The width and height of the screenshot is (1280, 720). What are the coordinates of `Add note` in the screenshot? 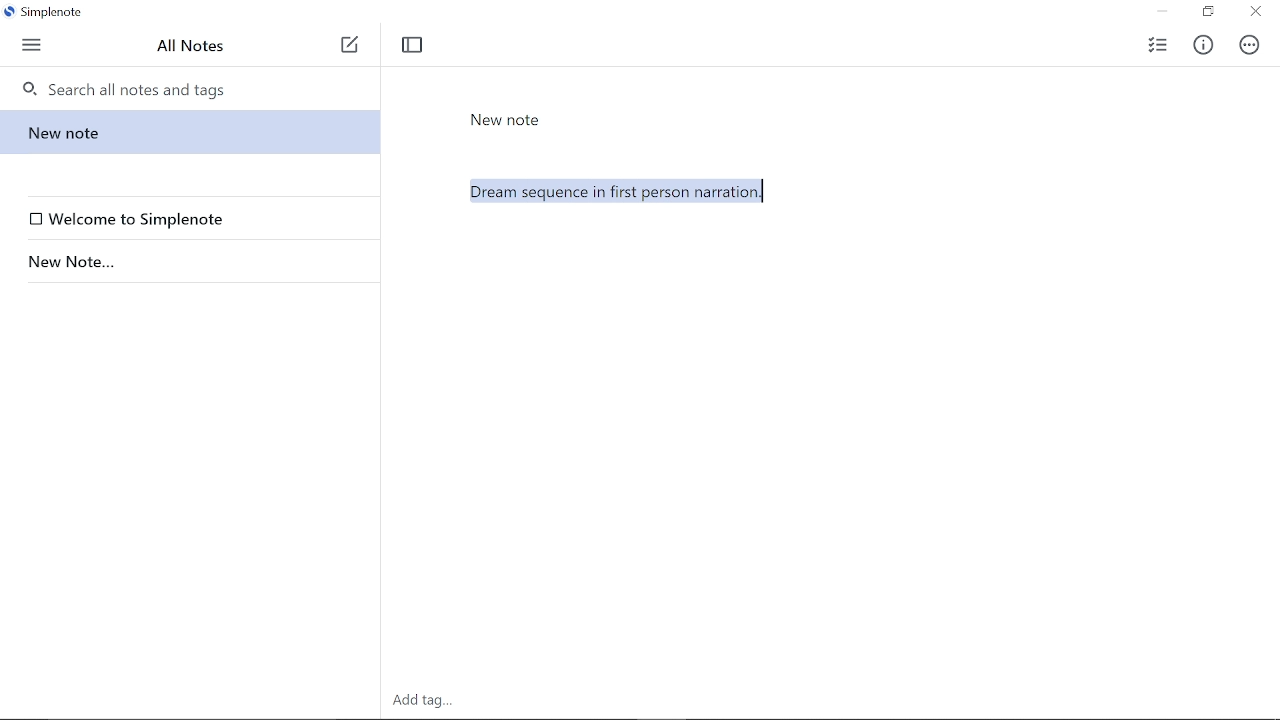 It's located at (350, 45).